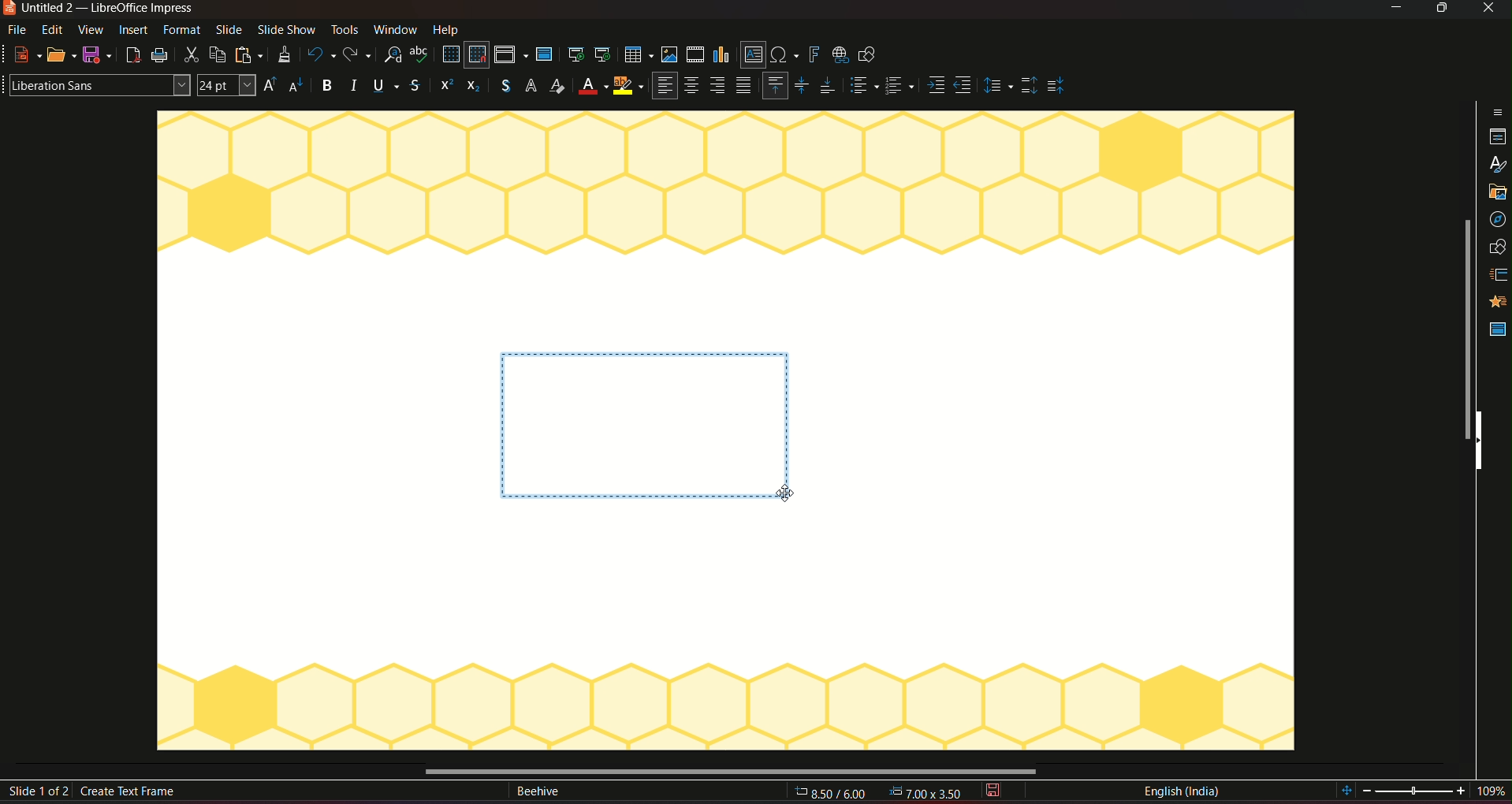 This screenshot has width=1512, height=804. Describe the element at coordinates (444, 87) in the screenshot. I see `icon` at that location.